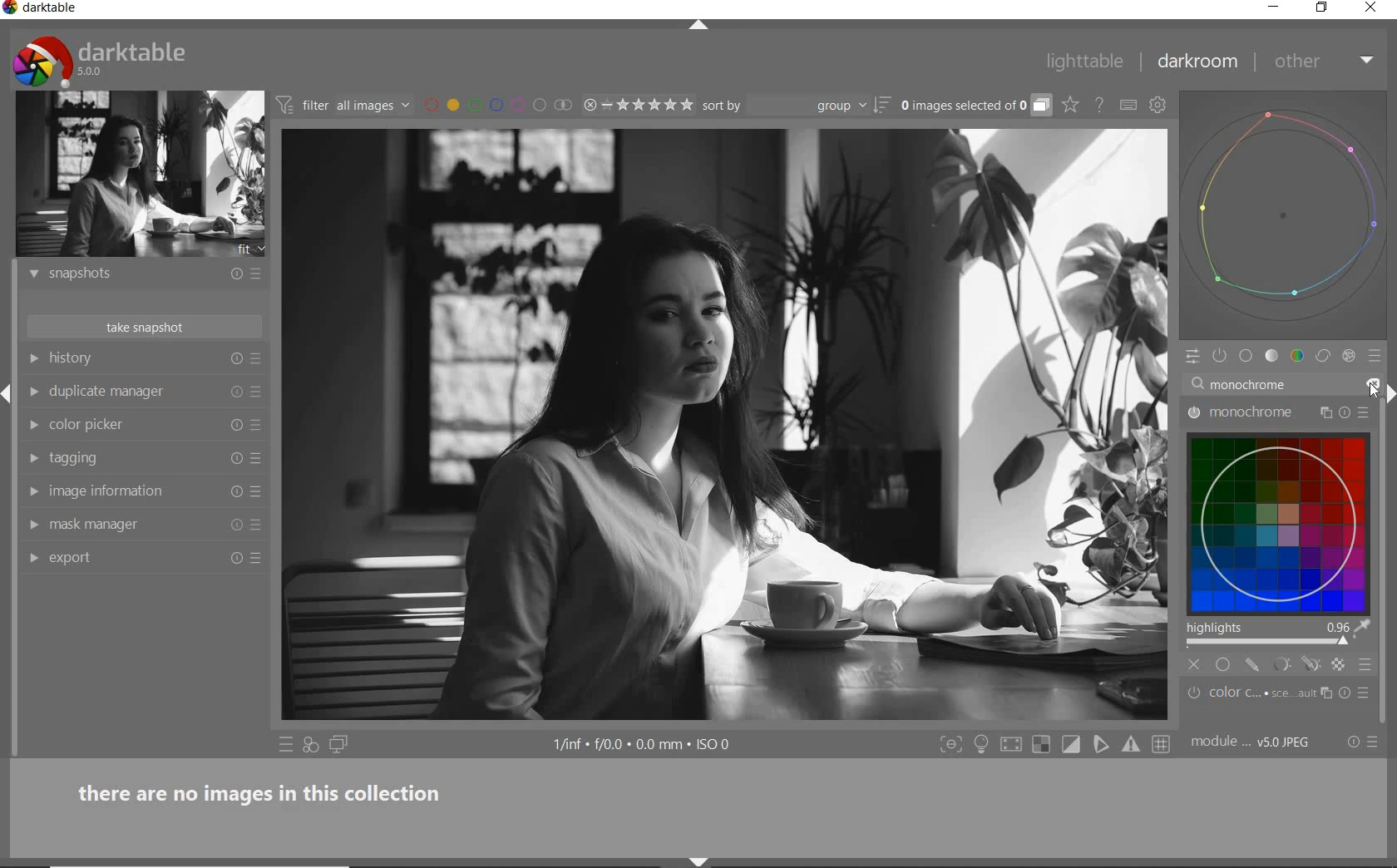 This screenshot has width=1397, height=868. What do you see at coordinates (257, 492) in the screenshot?
I see `preset and preferences` at bounding box center [257, 492].